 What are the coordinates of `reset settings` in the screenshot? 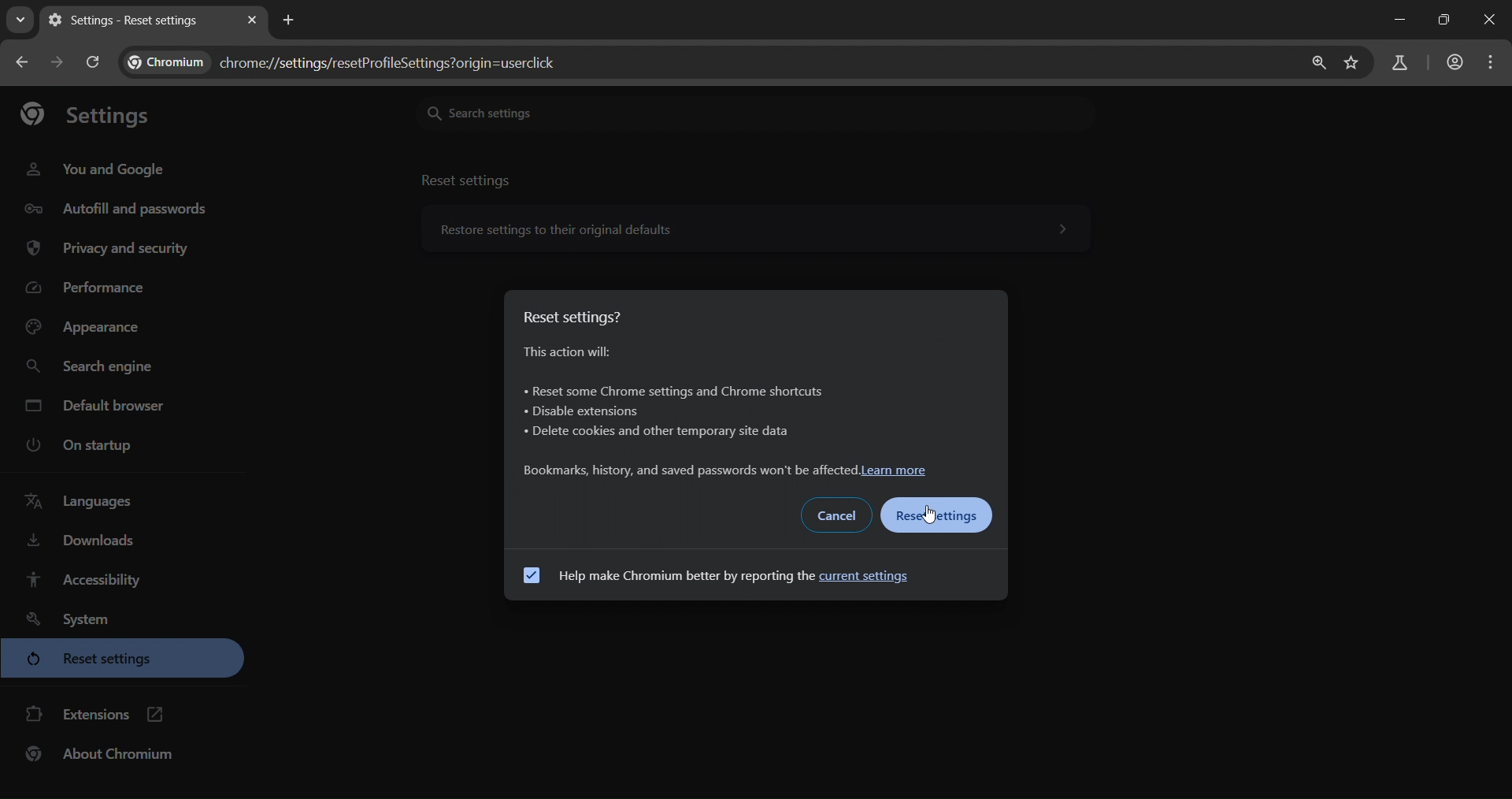 It's located at (469, 181).